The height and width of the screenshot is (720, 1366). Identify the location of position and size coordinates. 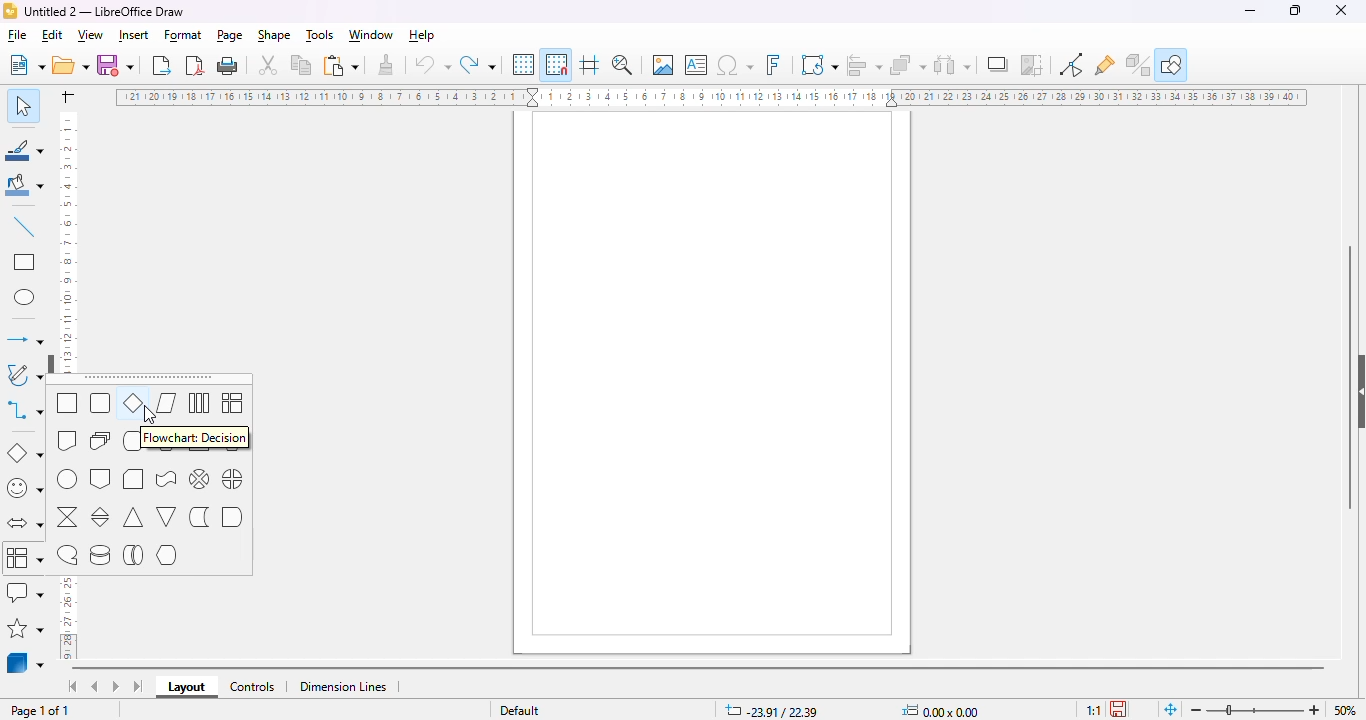
(772, 709).